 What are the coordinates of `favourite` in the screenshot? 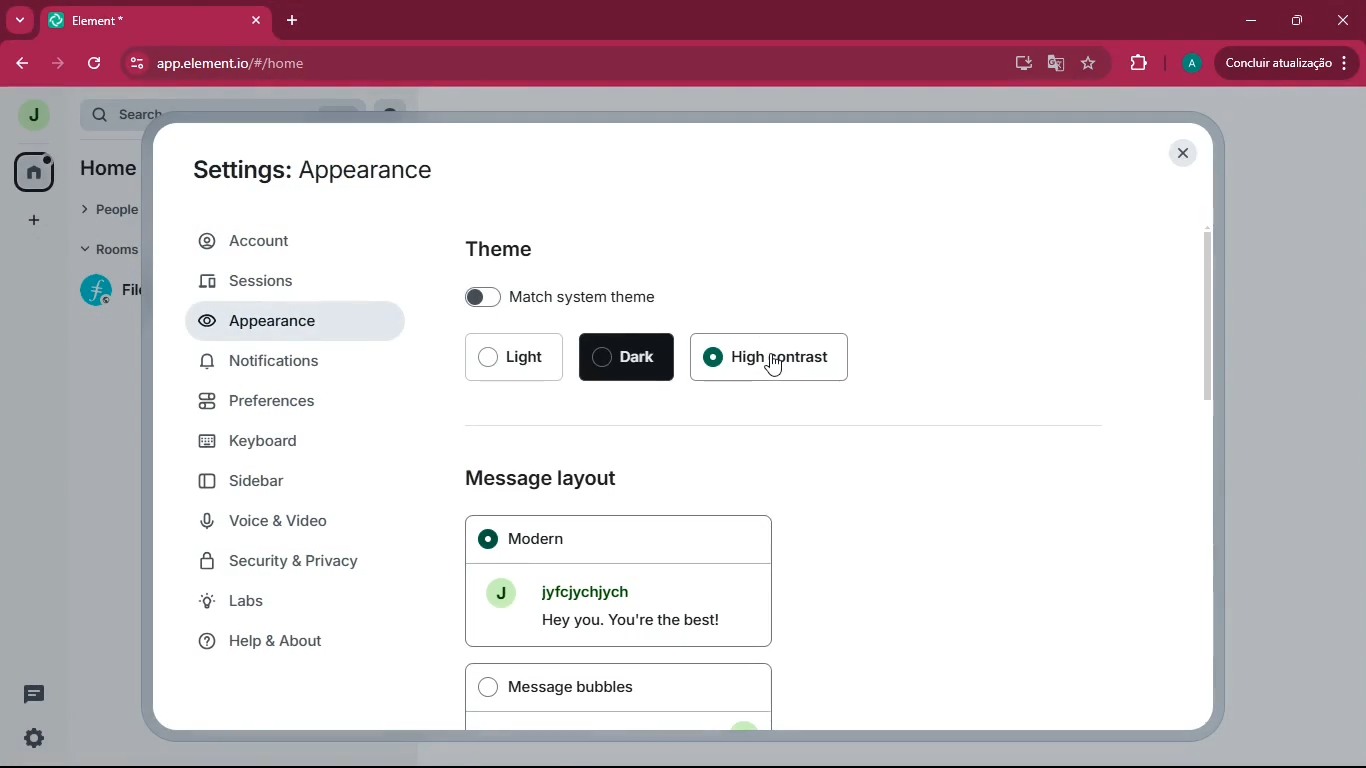 It's located at (1091, 61).